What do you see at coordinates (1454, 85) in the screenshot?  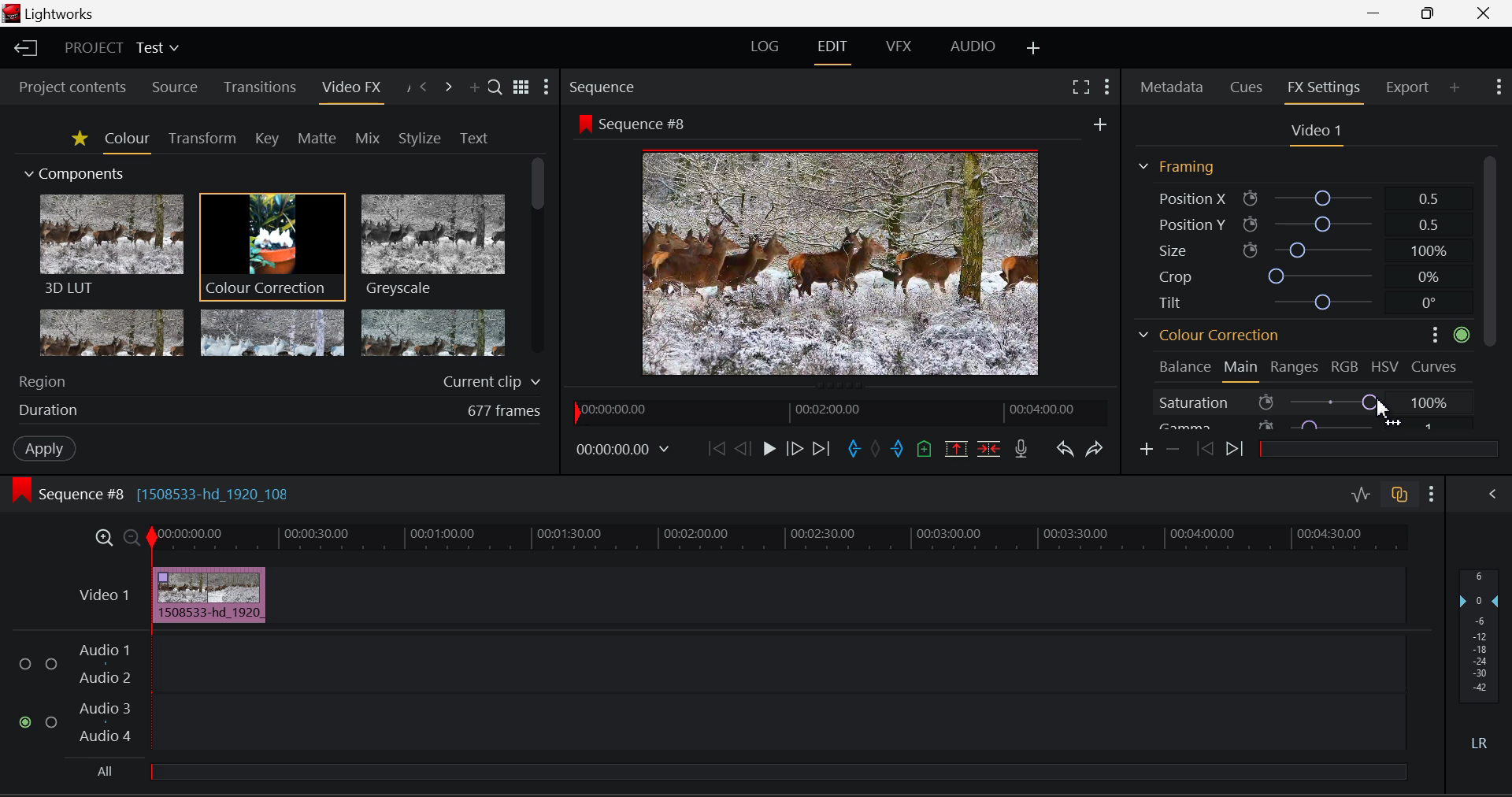 I see `Add Panel` at bounding box center [1454, 85].